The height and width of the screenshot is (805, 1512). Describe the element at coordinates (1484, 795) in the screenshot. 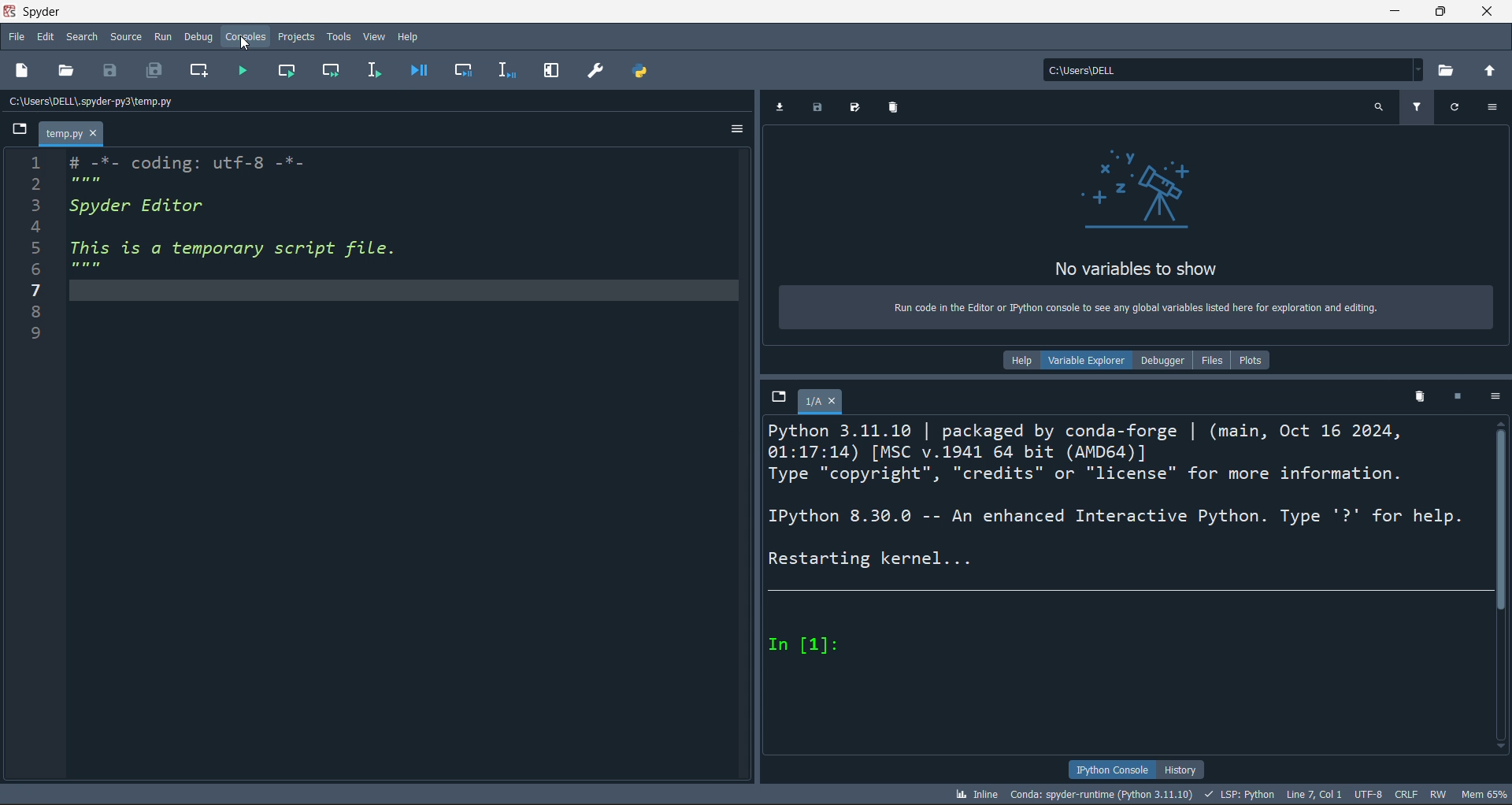

I see `mem 65%` at that location.